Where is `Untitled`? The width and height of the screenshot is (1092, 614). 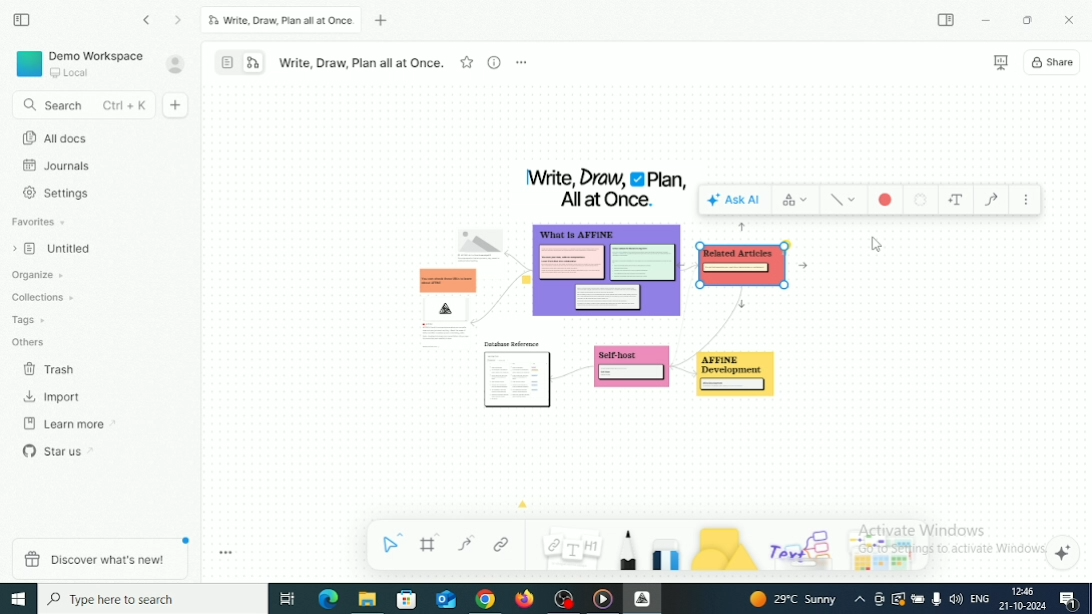
Untitled is located at coordinates (57, 250).